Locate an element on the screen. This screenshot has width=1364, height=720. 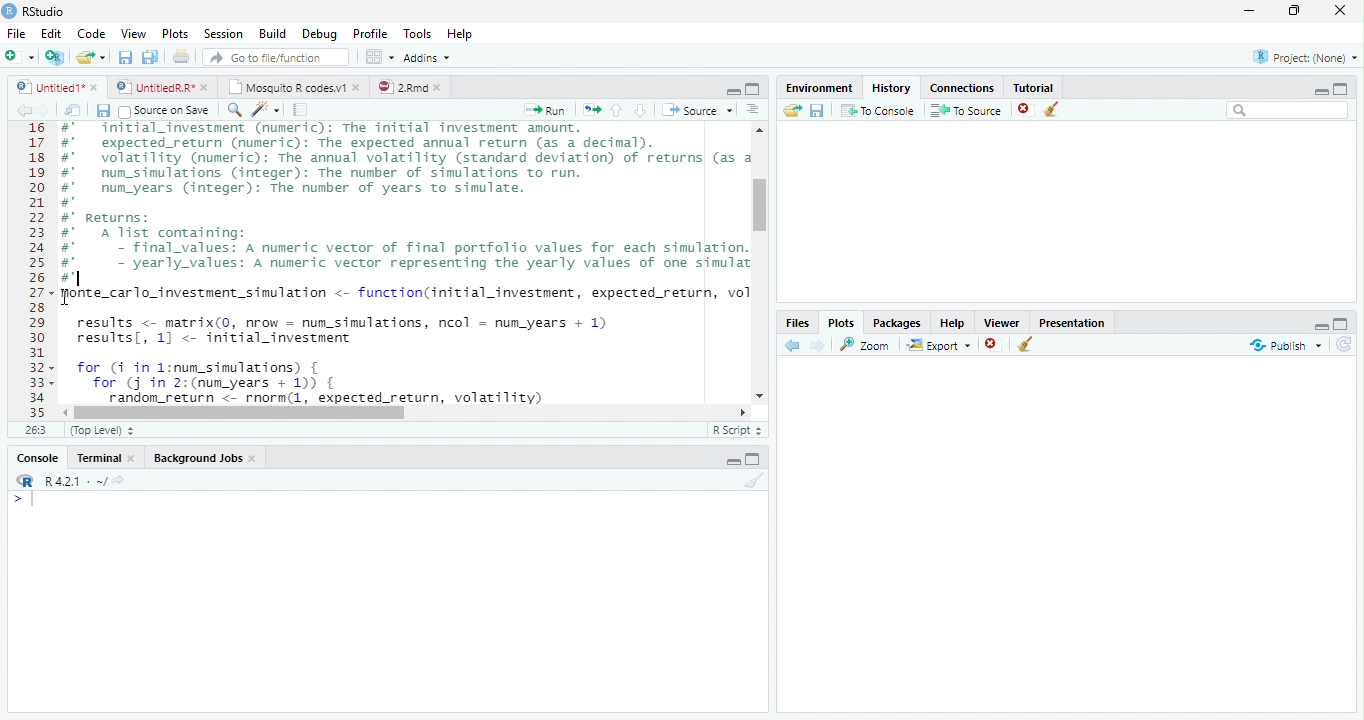
Background Jobs. is located at coordinates (206, 457).